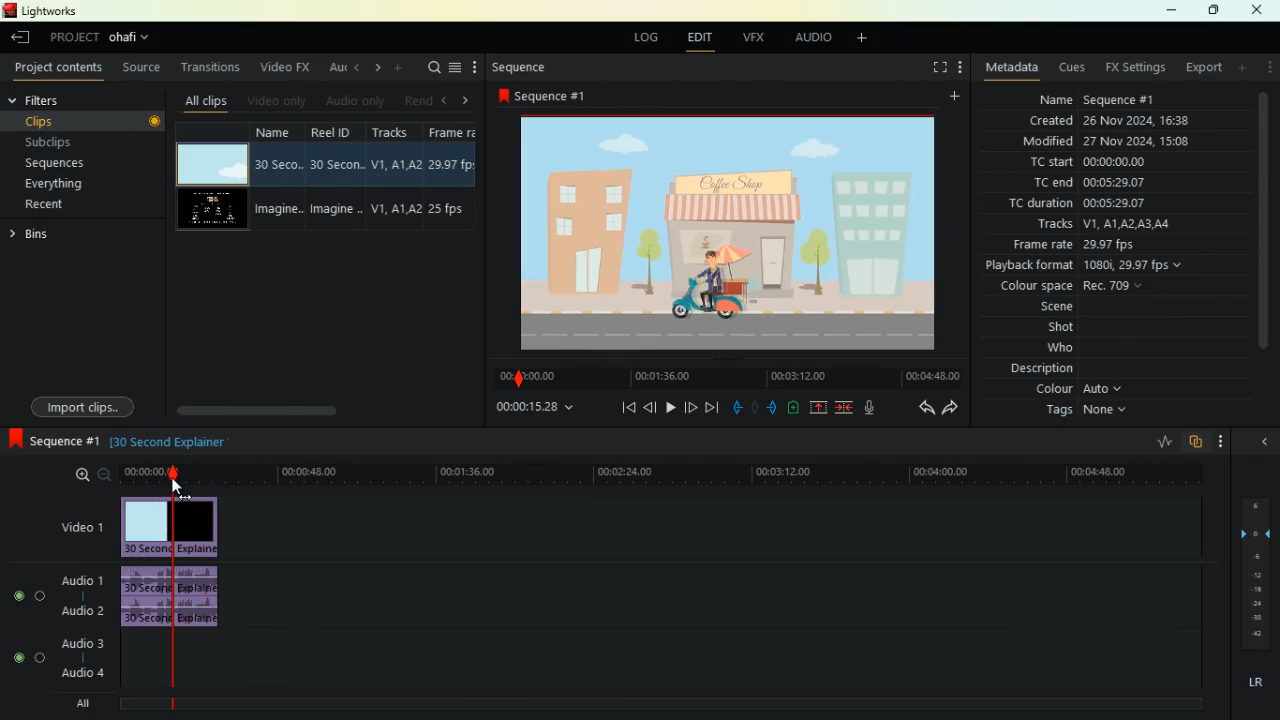 Image resolution: width=1280 pixels, height=720 pixels. What do you see at coordinates (452, 133) in the screenshot?
I see `Frame ` at bounding box center [452, 133].